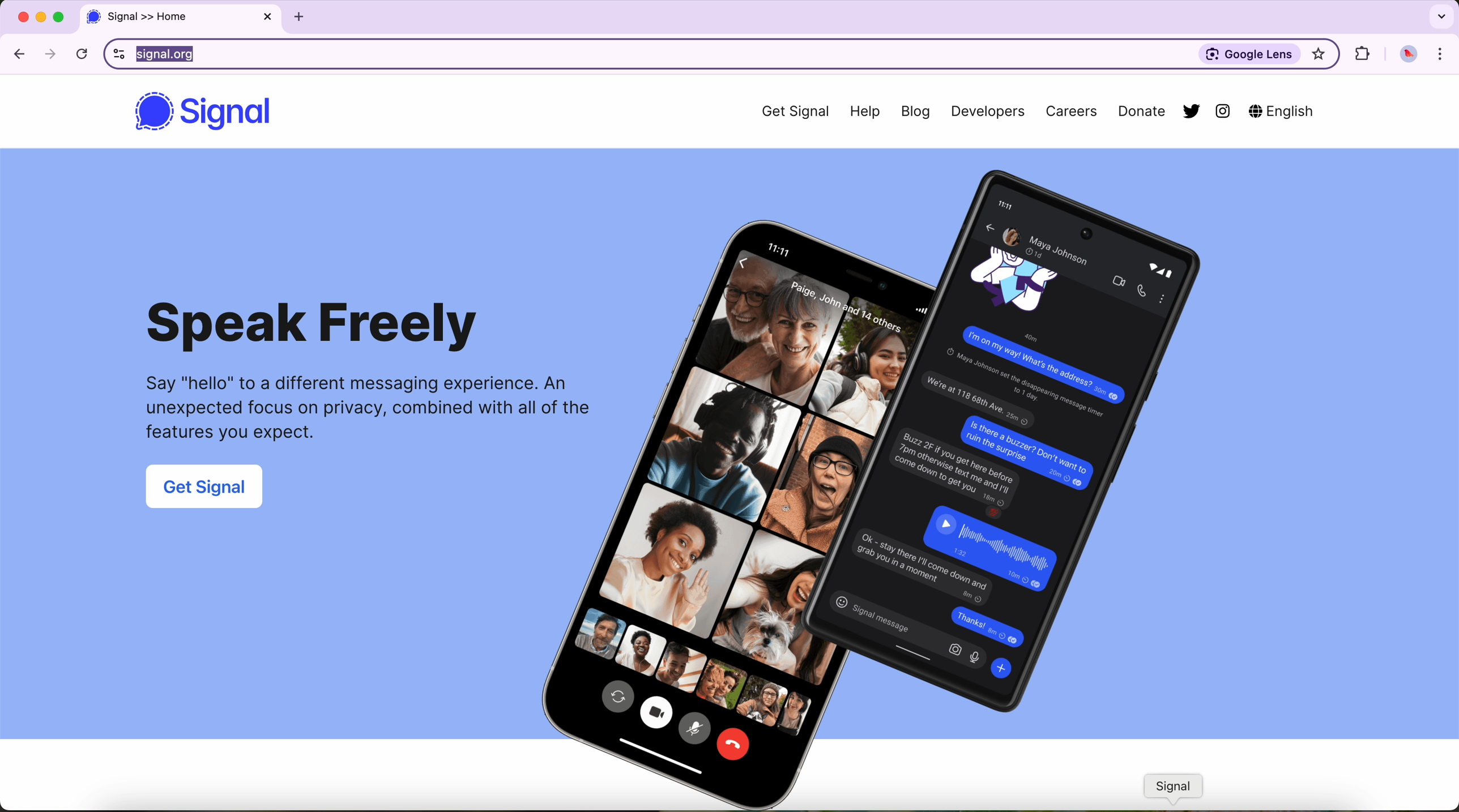  I want to click on Say "hello" to a different messaging experience. An
unexpected focus on privacy, combined with all of the
features you expect., so click(356, 412).